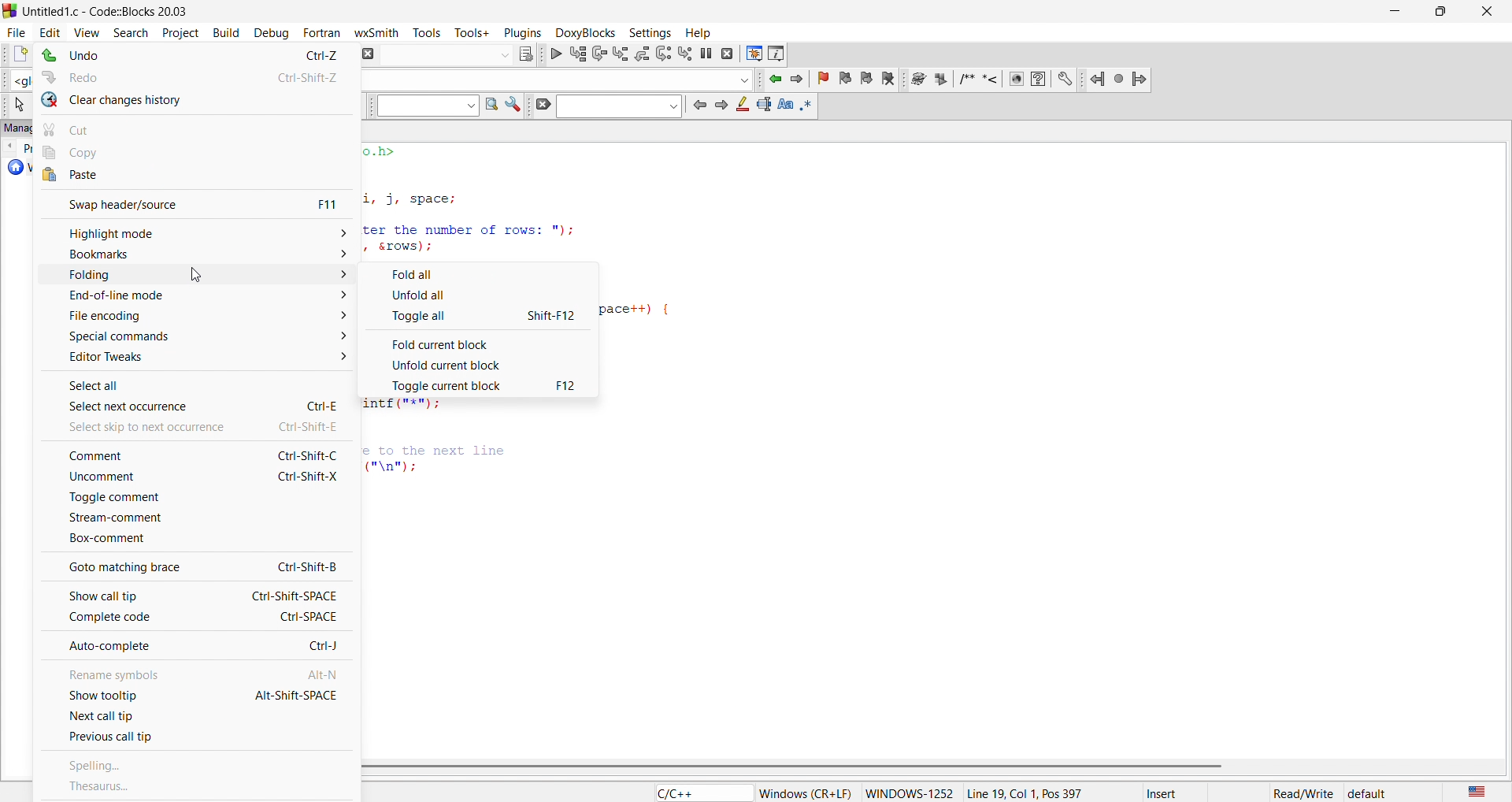 The height and width of the screenshot is (802, 1512). What do you see at coordinates (1065, 79) in the screenshot?
I see `settings` at bounding box center [1065, 79].